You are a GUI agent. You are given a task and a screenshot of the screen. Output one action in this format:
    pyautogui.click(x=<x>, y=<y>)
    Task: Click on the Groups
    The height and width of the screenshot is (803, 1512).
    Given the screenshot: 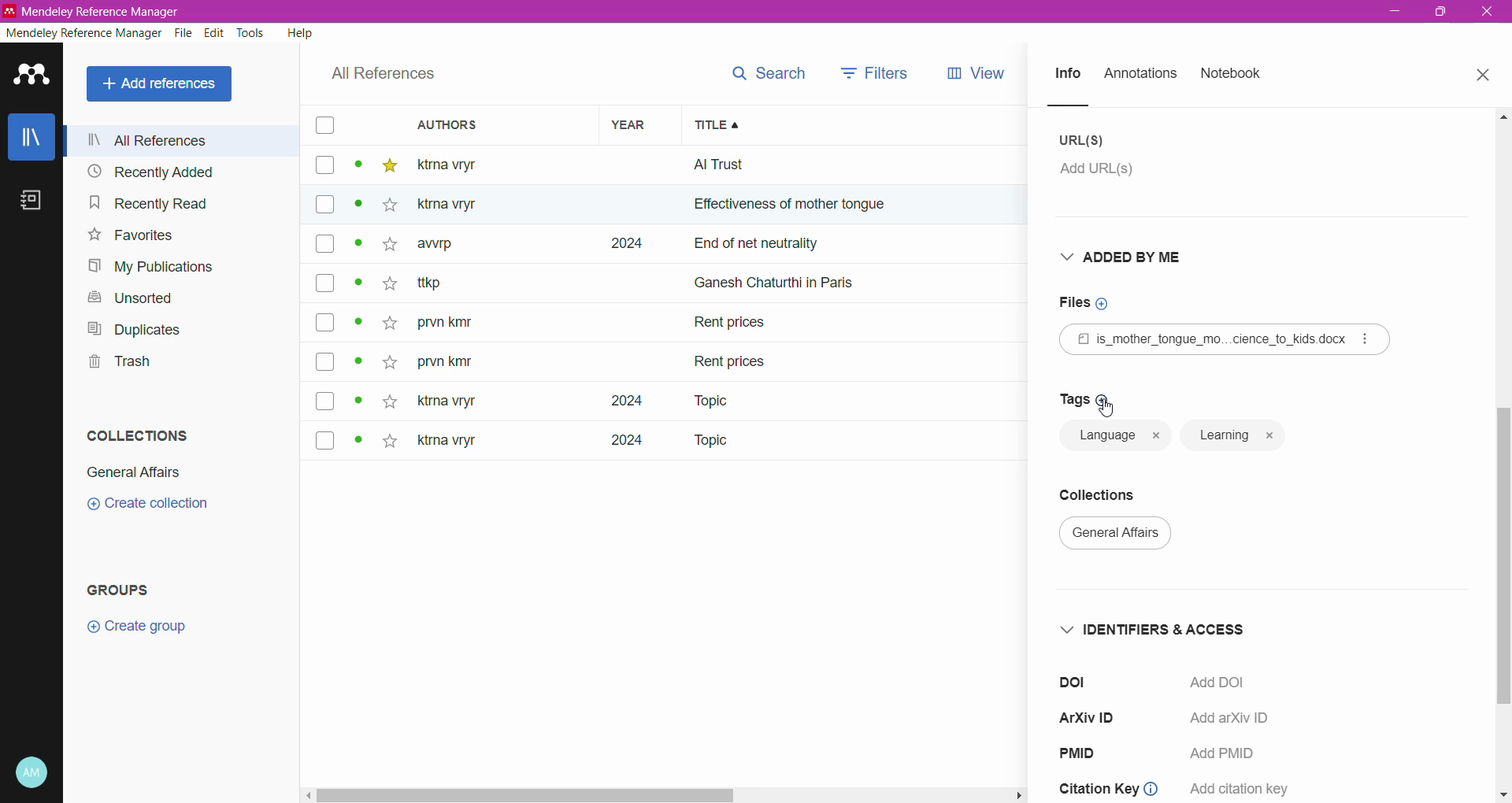 What is the action you would take?
    pyautogui.click(x=121, y=590)
    